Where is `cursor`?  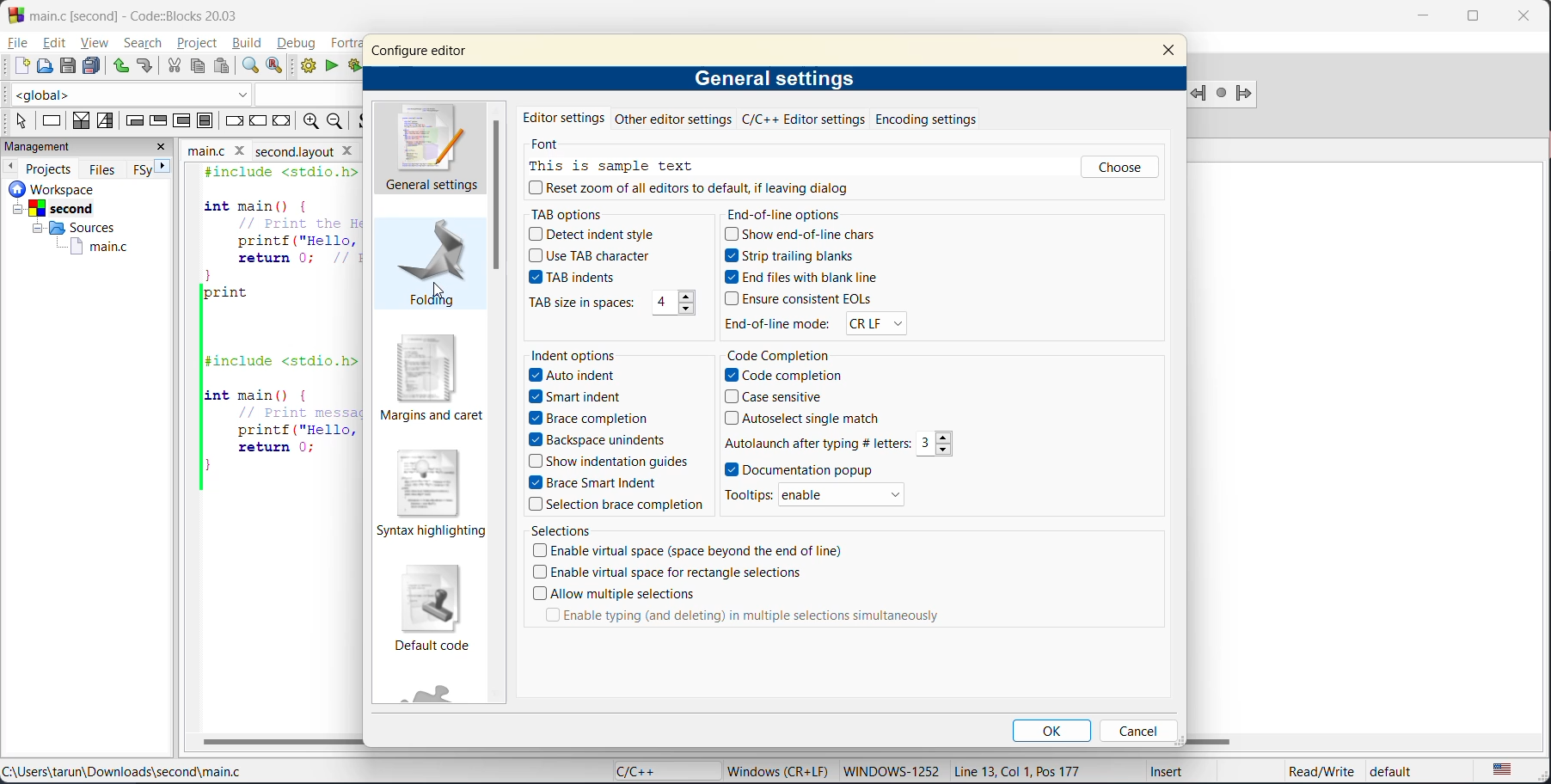
cursor is located at coordinates (436, 291).